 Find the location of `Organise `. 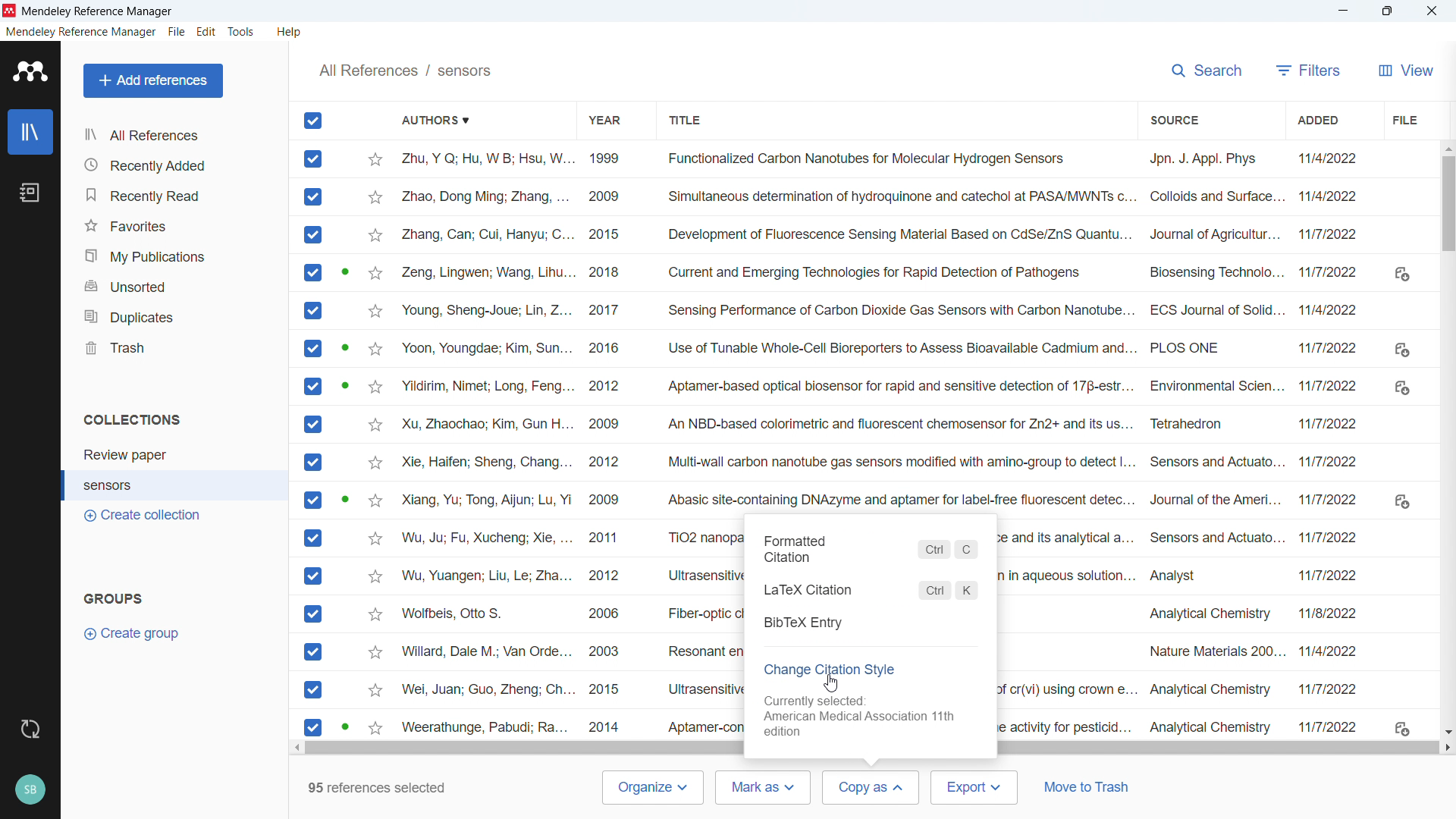

Organise  is located at coordinates (655, 788).